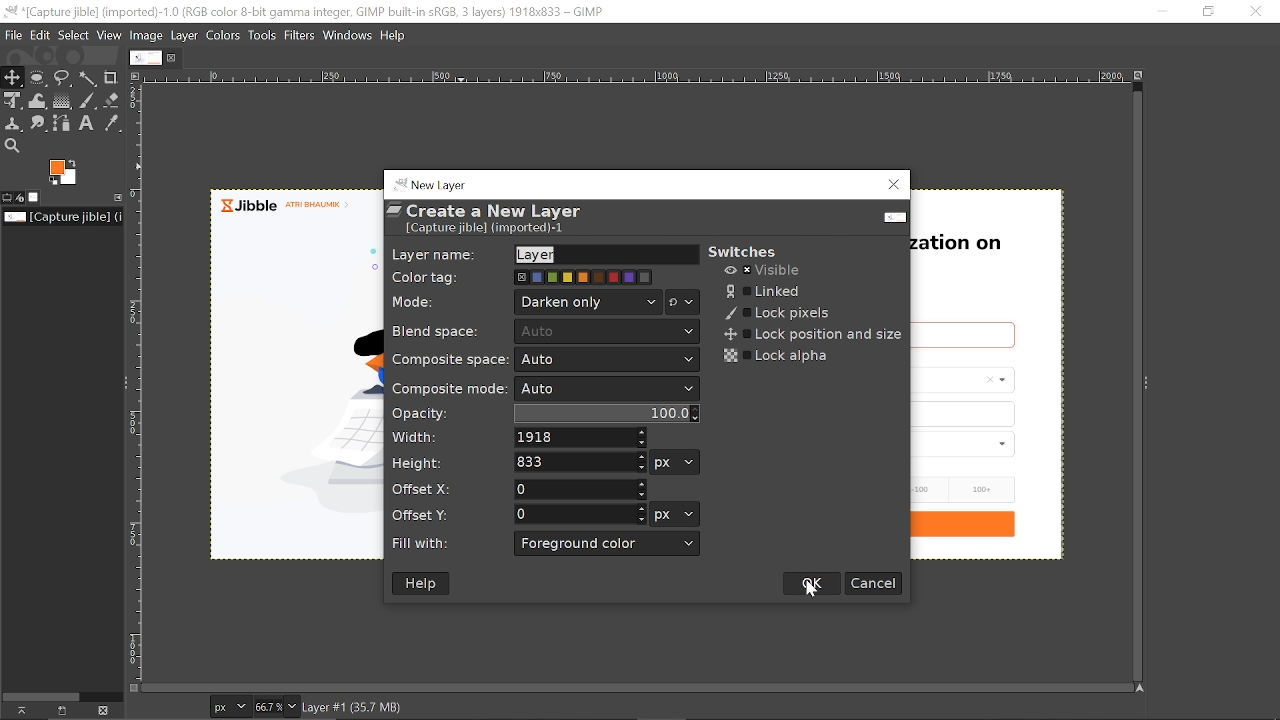 This screenshot has height=720, width=1280. Describe the element at coordinates (429, 415) in the screenshot. I see `opacity` at that location.